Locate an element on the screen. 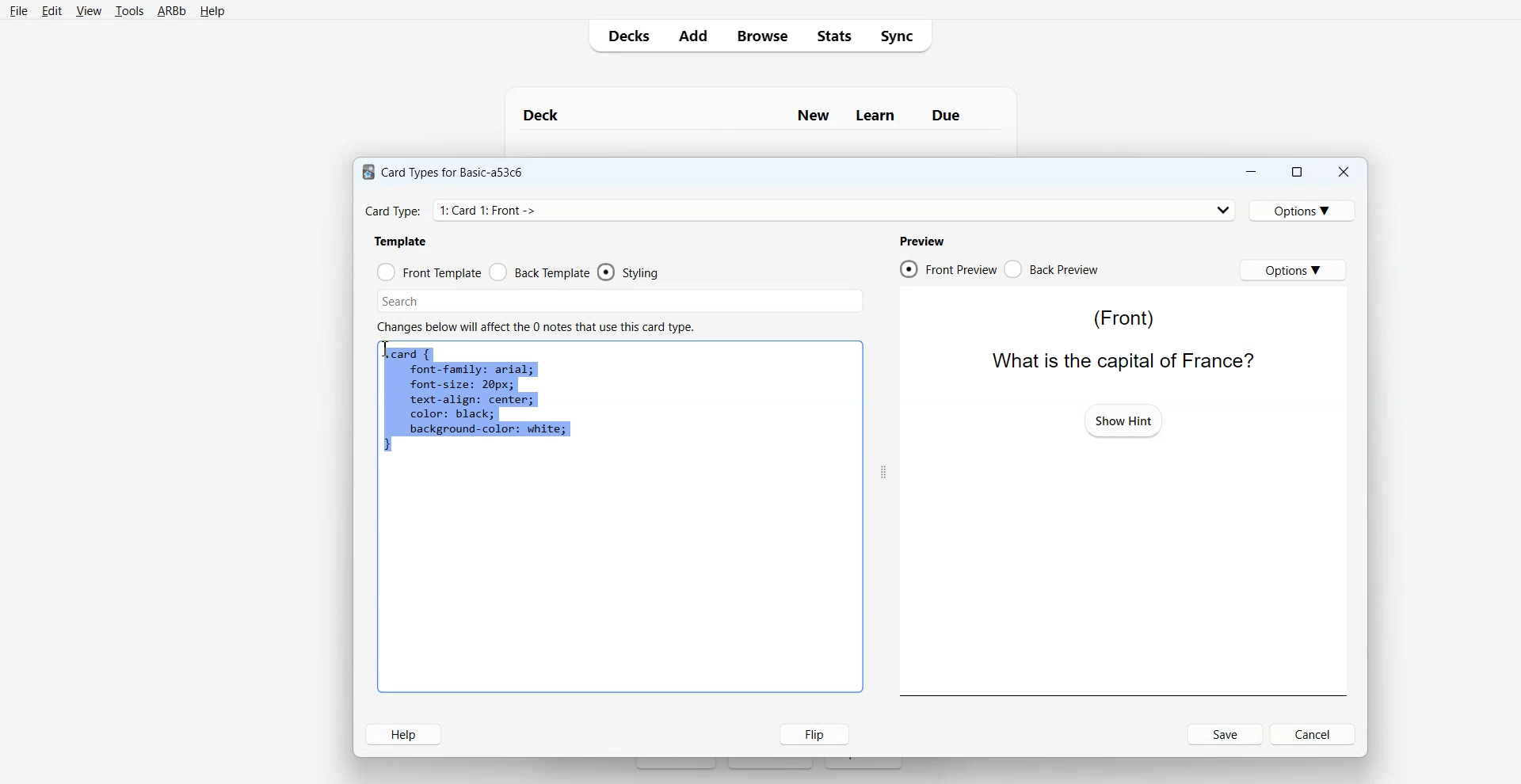  Back Template is located at coordinates (539, 272).